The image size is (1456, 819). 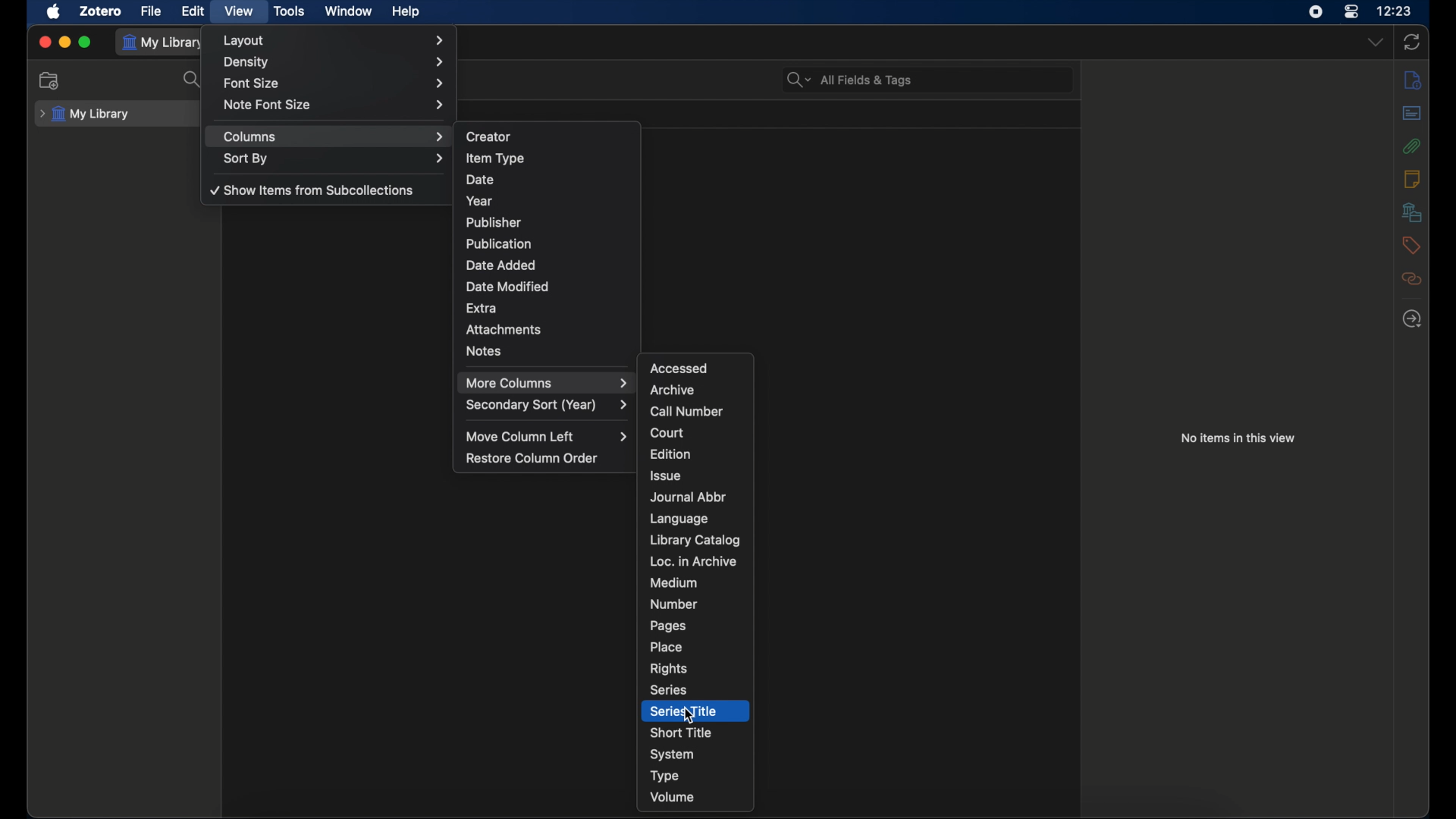 I want to click on info, so click(x=1414, y=80).